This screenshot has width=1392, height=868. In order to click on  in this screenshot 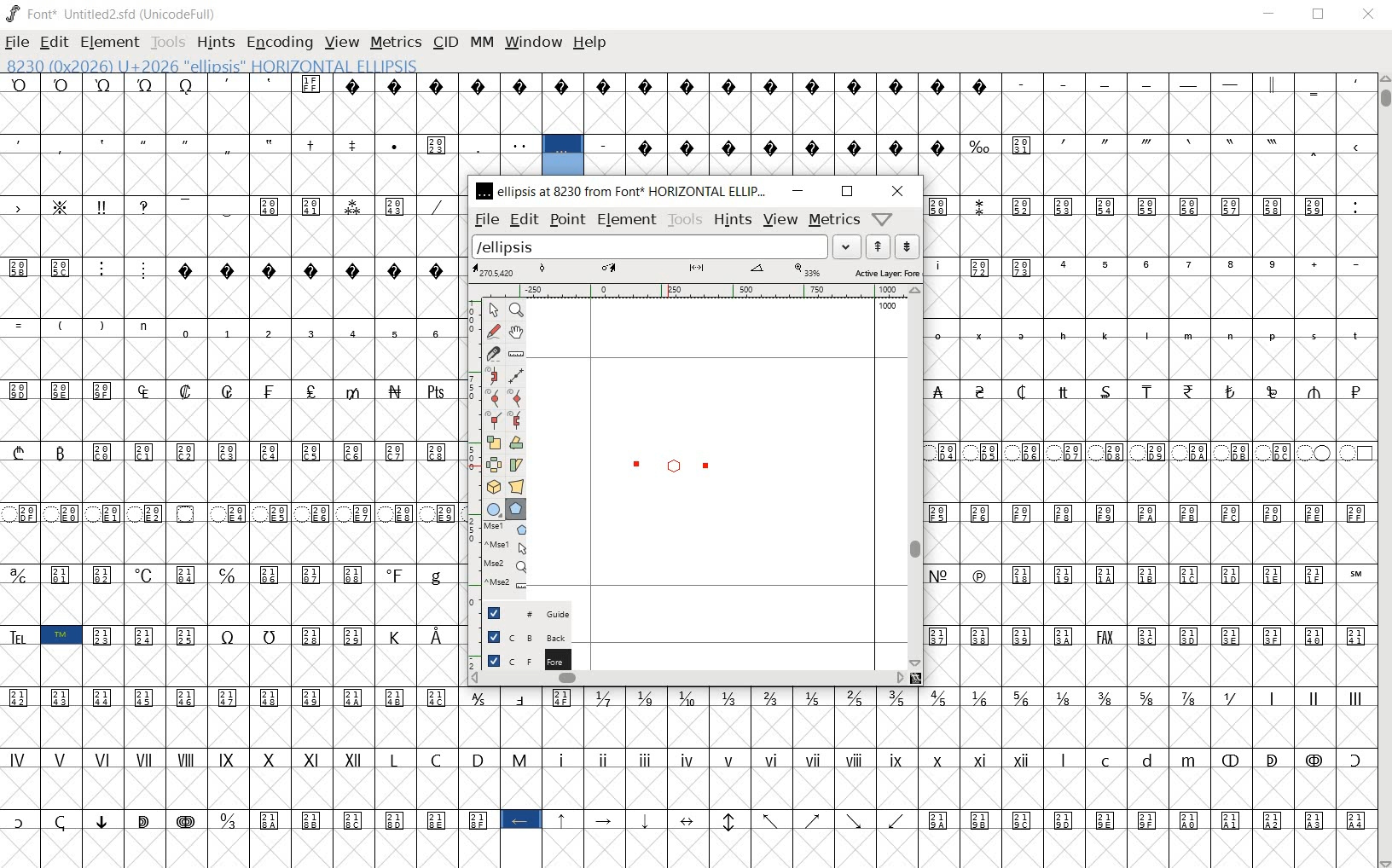, I will do `click(779, 219)`.